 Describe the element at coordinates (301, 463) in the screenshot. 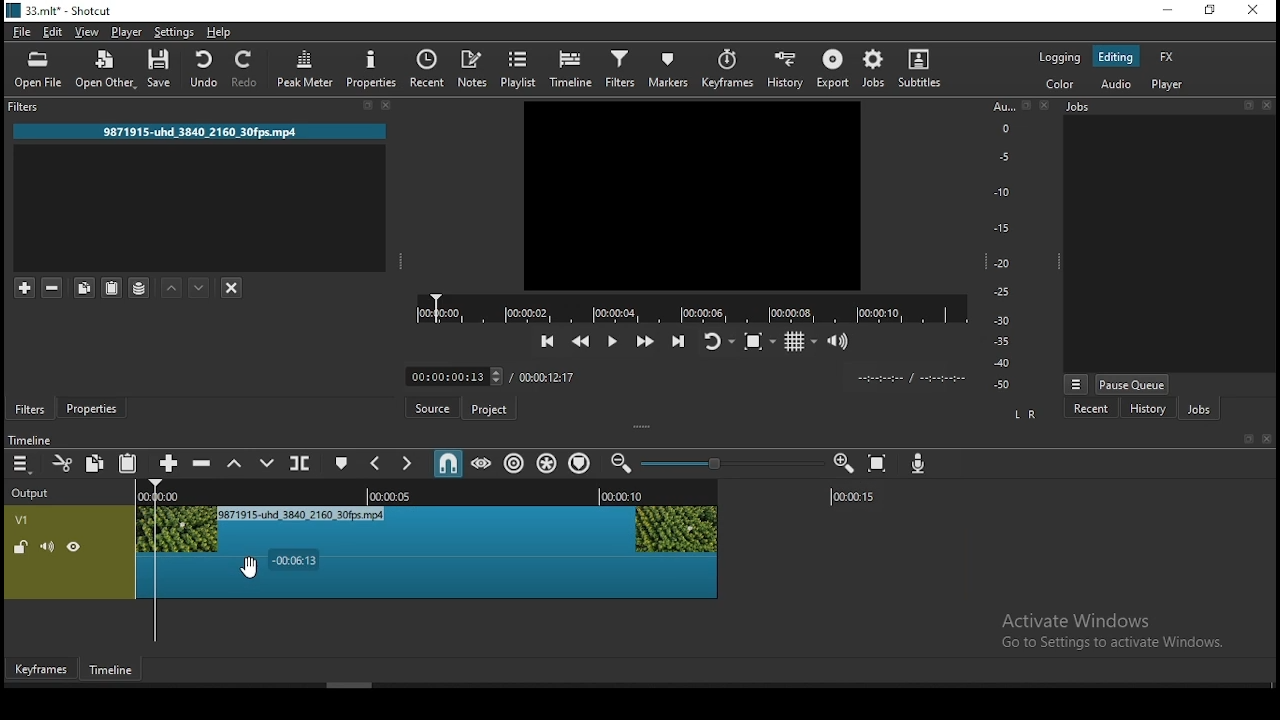

I see `split at playhead` at that location.